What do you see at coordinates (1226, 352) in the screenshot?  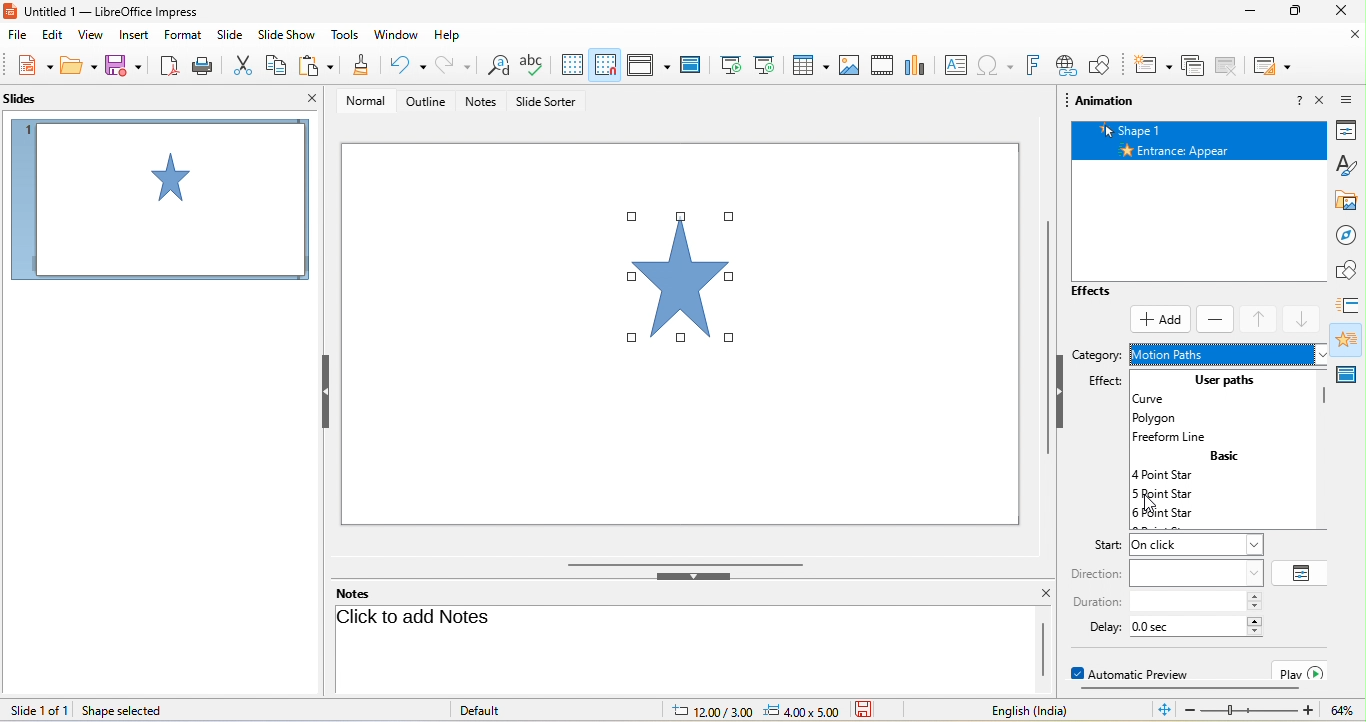 I see `entrance` at bounding box center [1226, 352].